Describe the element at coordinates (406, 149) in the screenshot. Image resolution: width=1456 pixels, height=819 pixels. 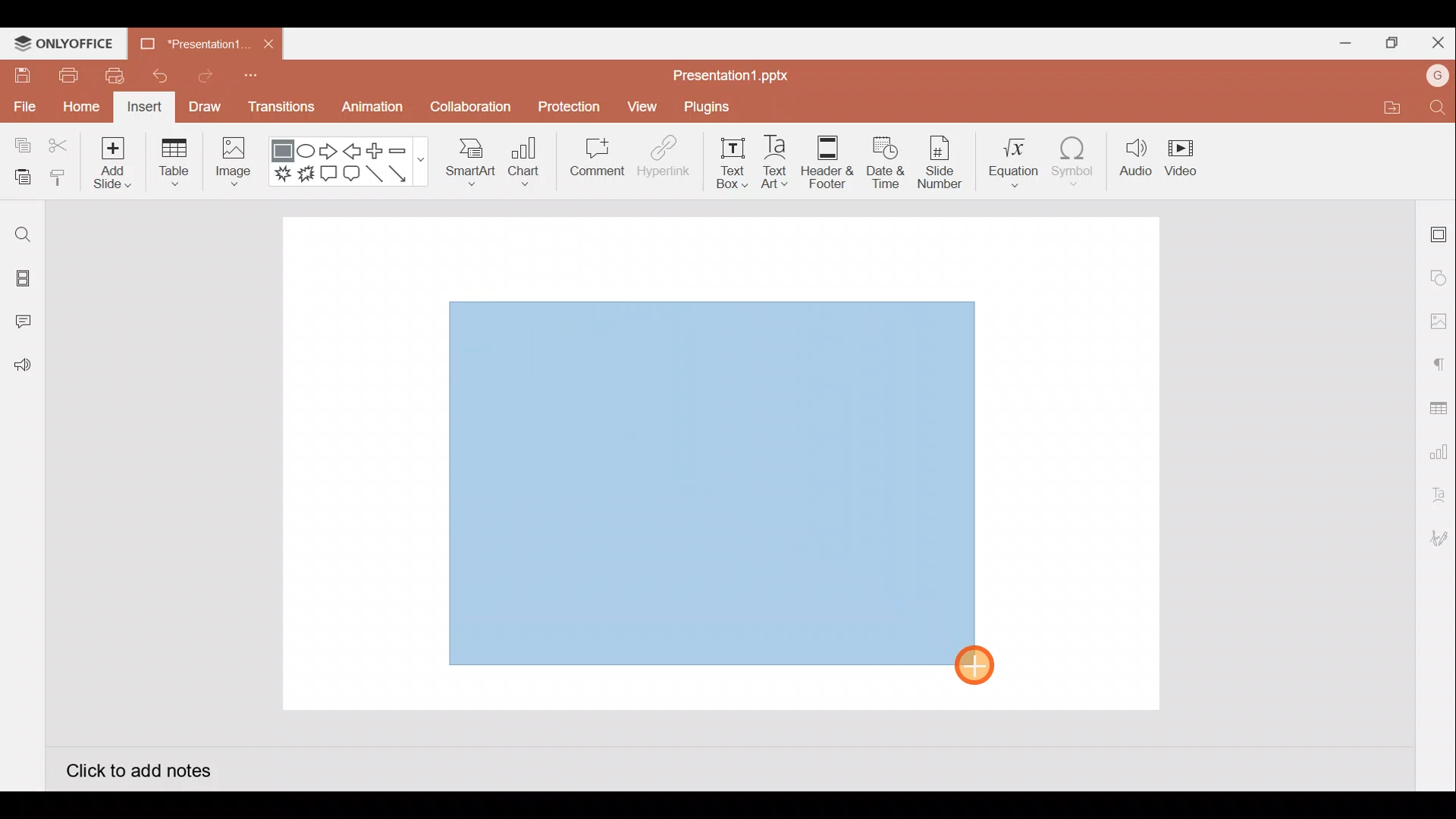
I see `Minus` at that location.